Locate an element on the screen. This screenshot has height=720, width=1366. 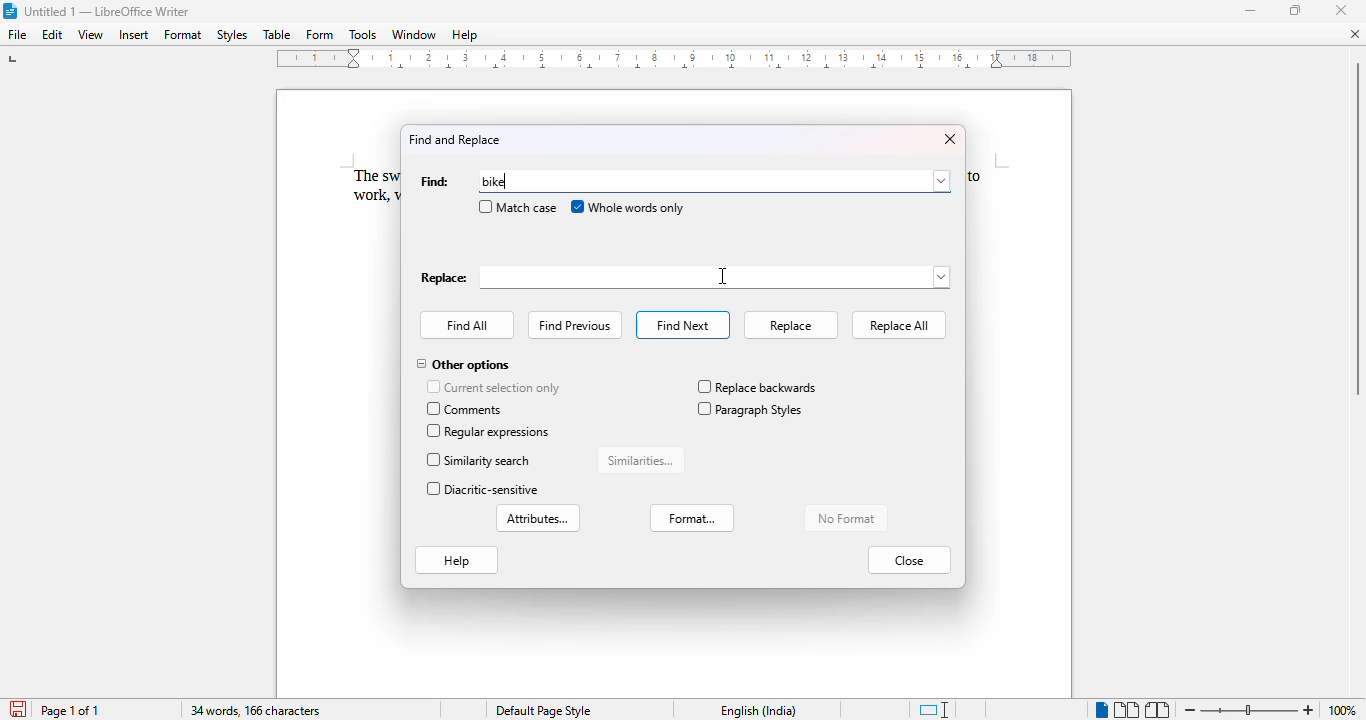
zoom in is located at coordinates (1309, 709).